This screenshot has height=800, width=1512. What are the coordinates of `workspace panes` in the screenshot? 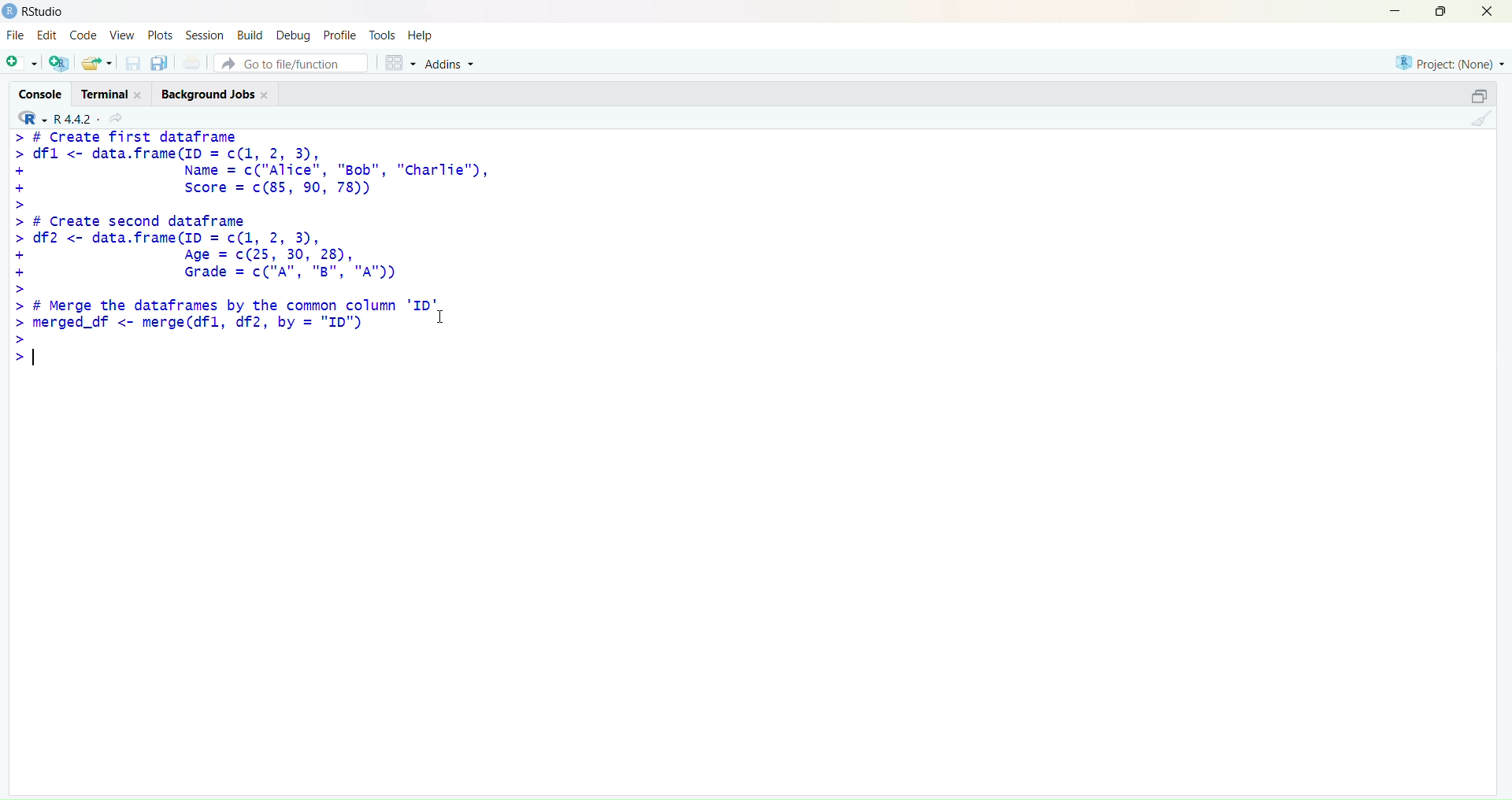 It's located at (400, 62).